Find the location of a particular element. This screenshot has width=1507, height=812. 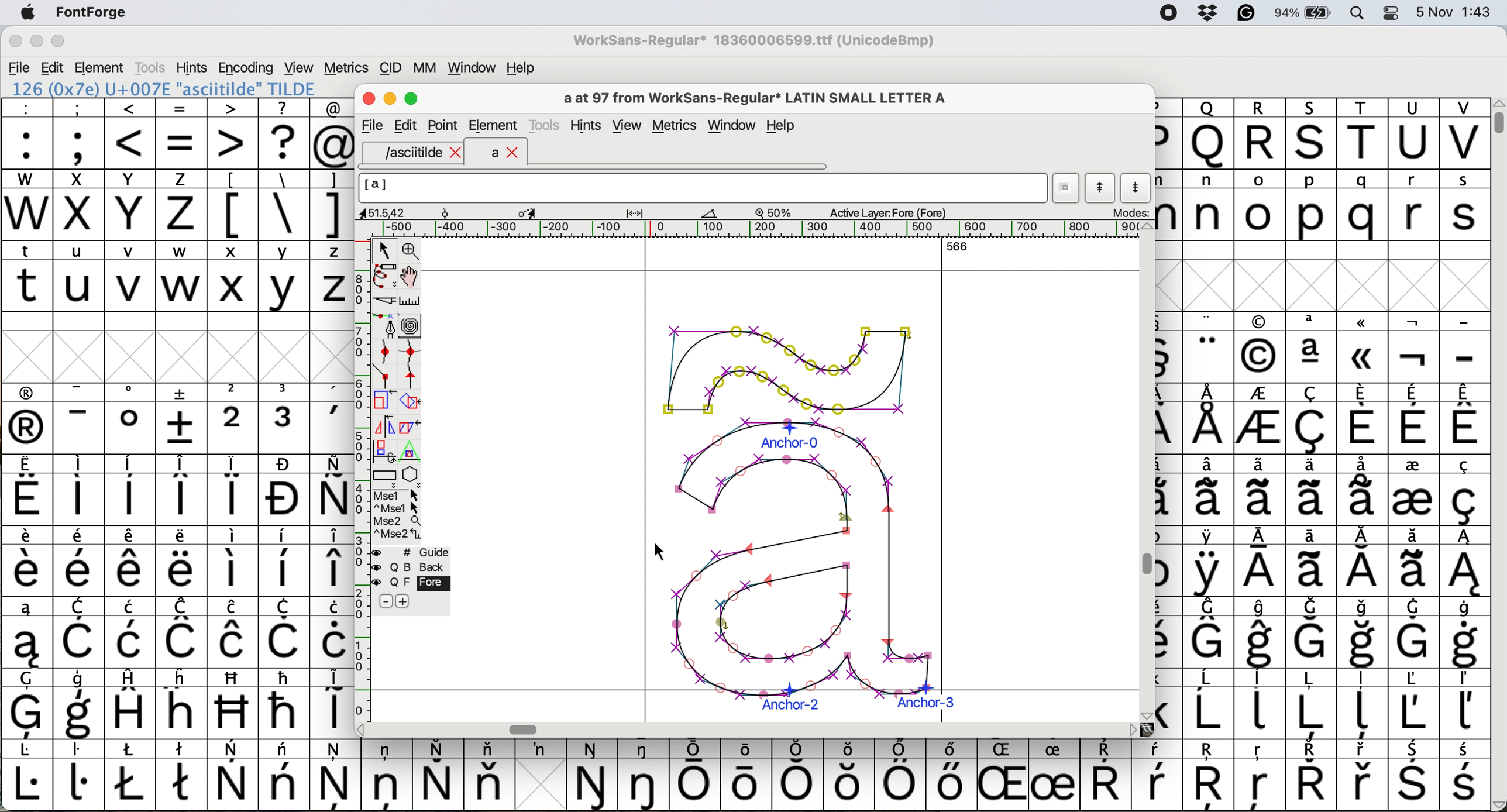

q is located at coordinates (1365, 206).